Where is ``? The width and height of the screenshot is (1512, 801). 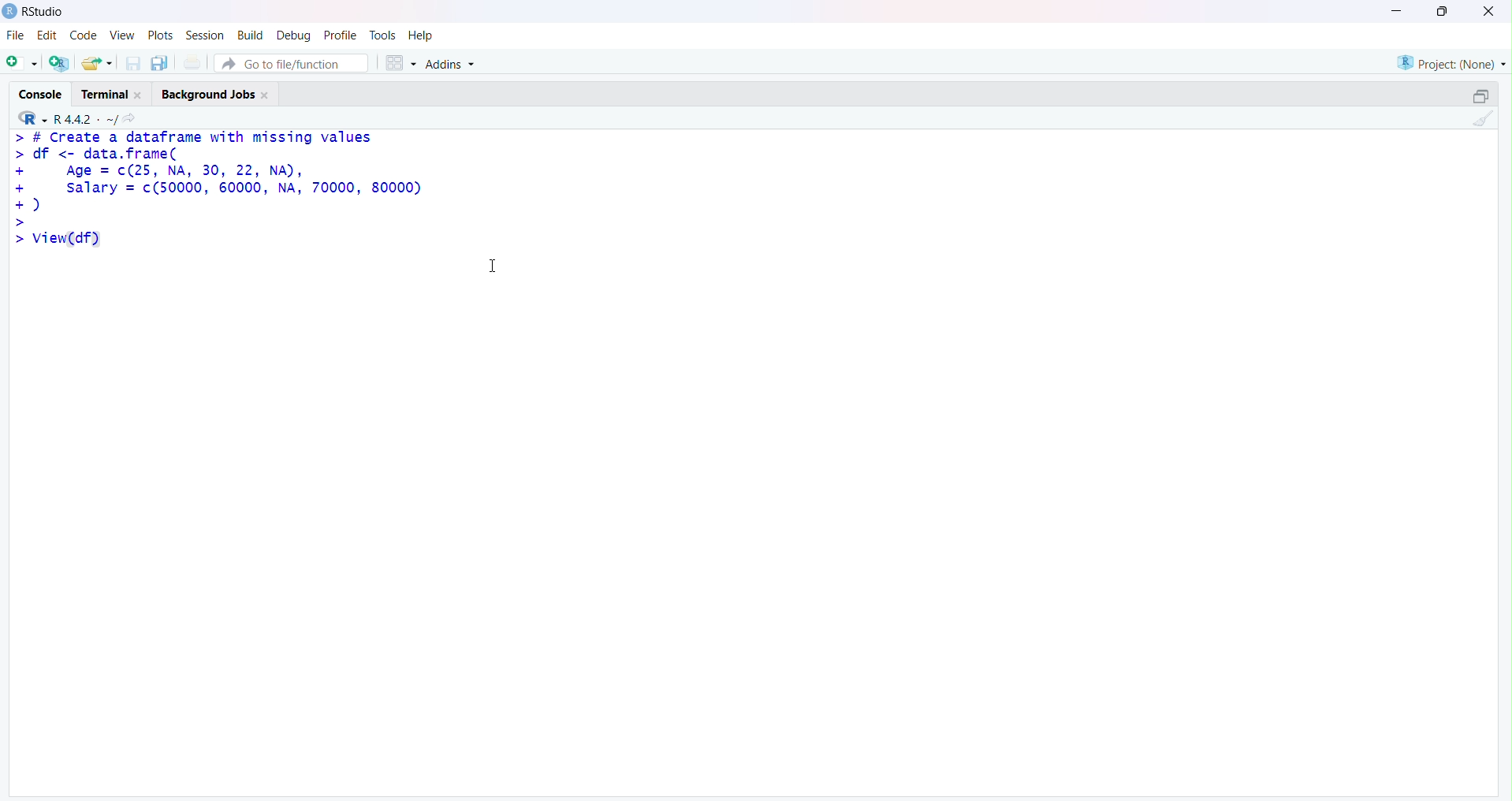  is located at coordinates (289, 60).